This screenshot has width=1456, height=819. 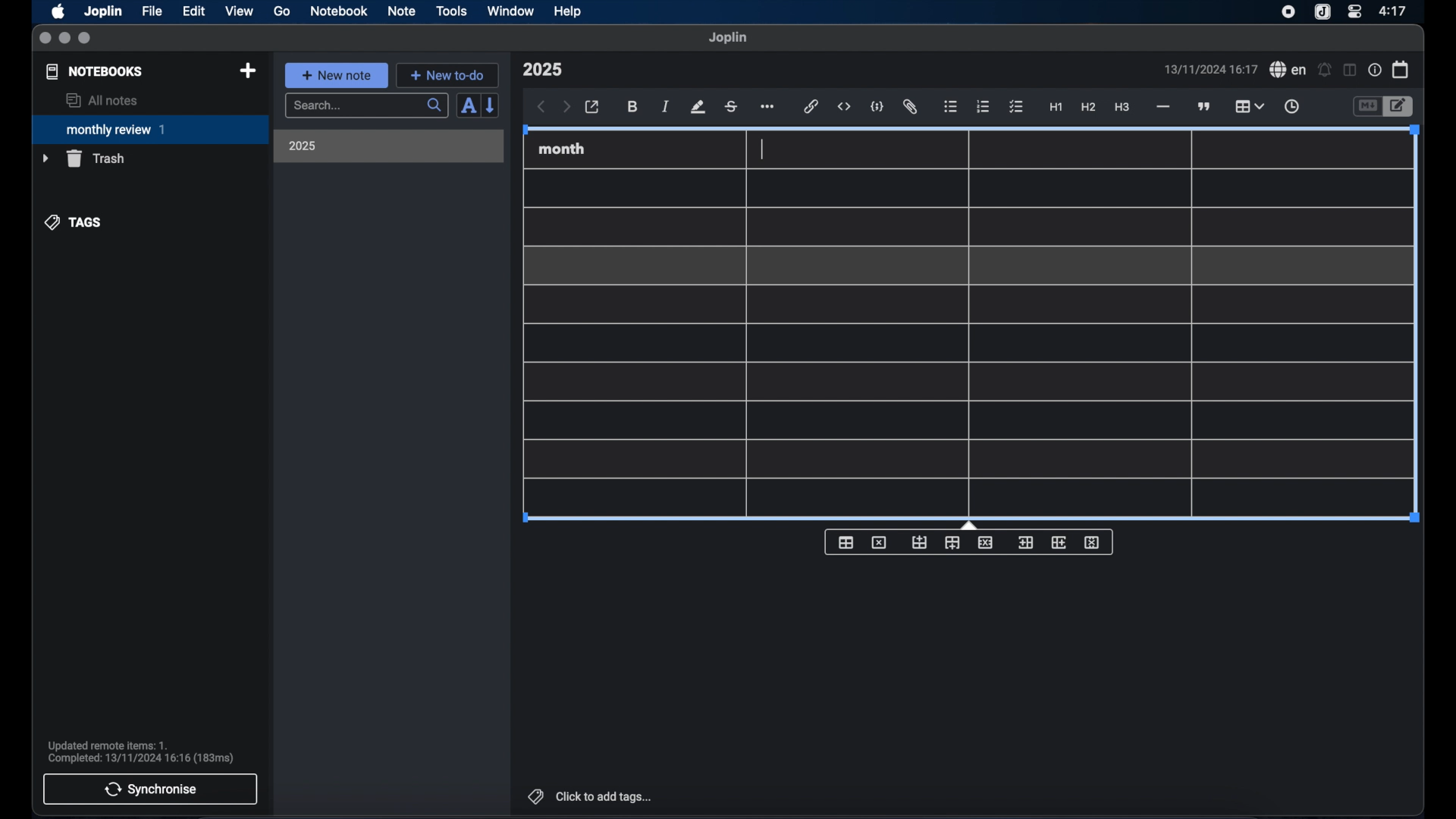 I want to click on edit, so click(x=195, y=11).